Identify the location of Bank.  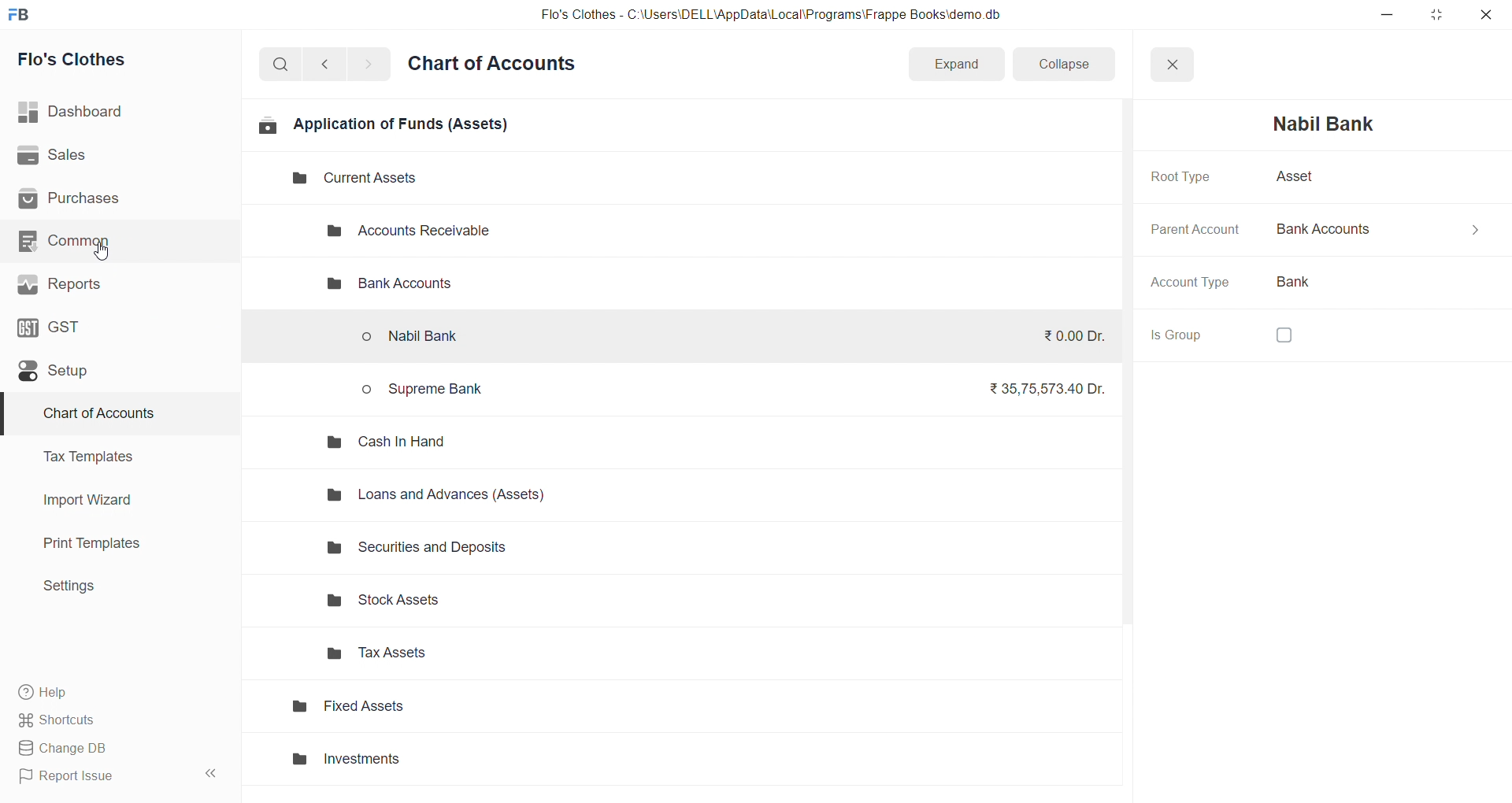
(1313, 282).